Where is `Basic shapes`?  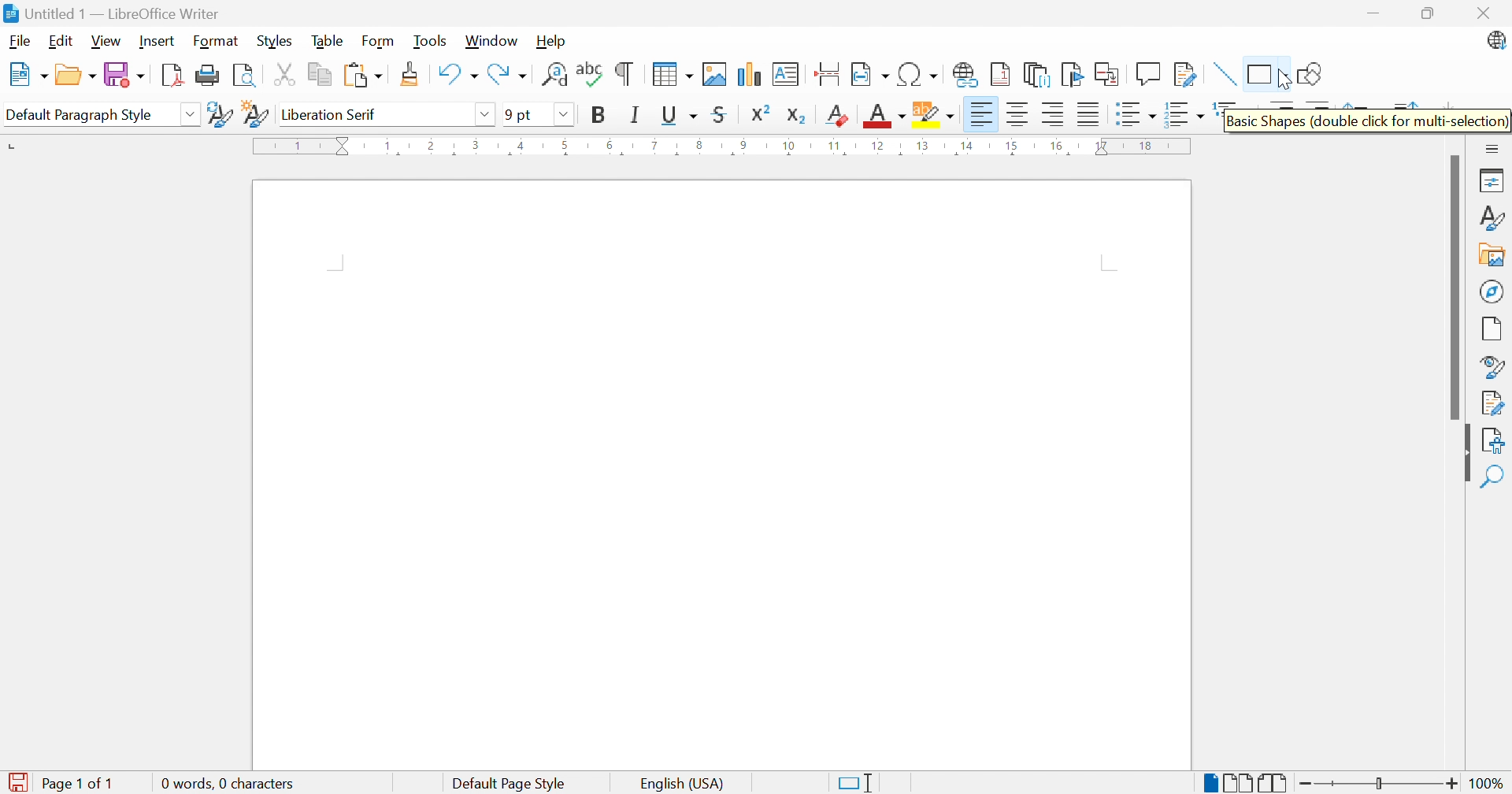 Basic shapes is located at coordinates (1266, 72).